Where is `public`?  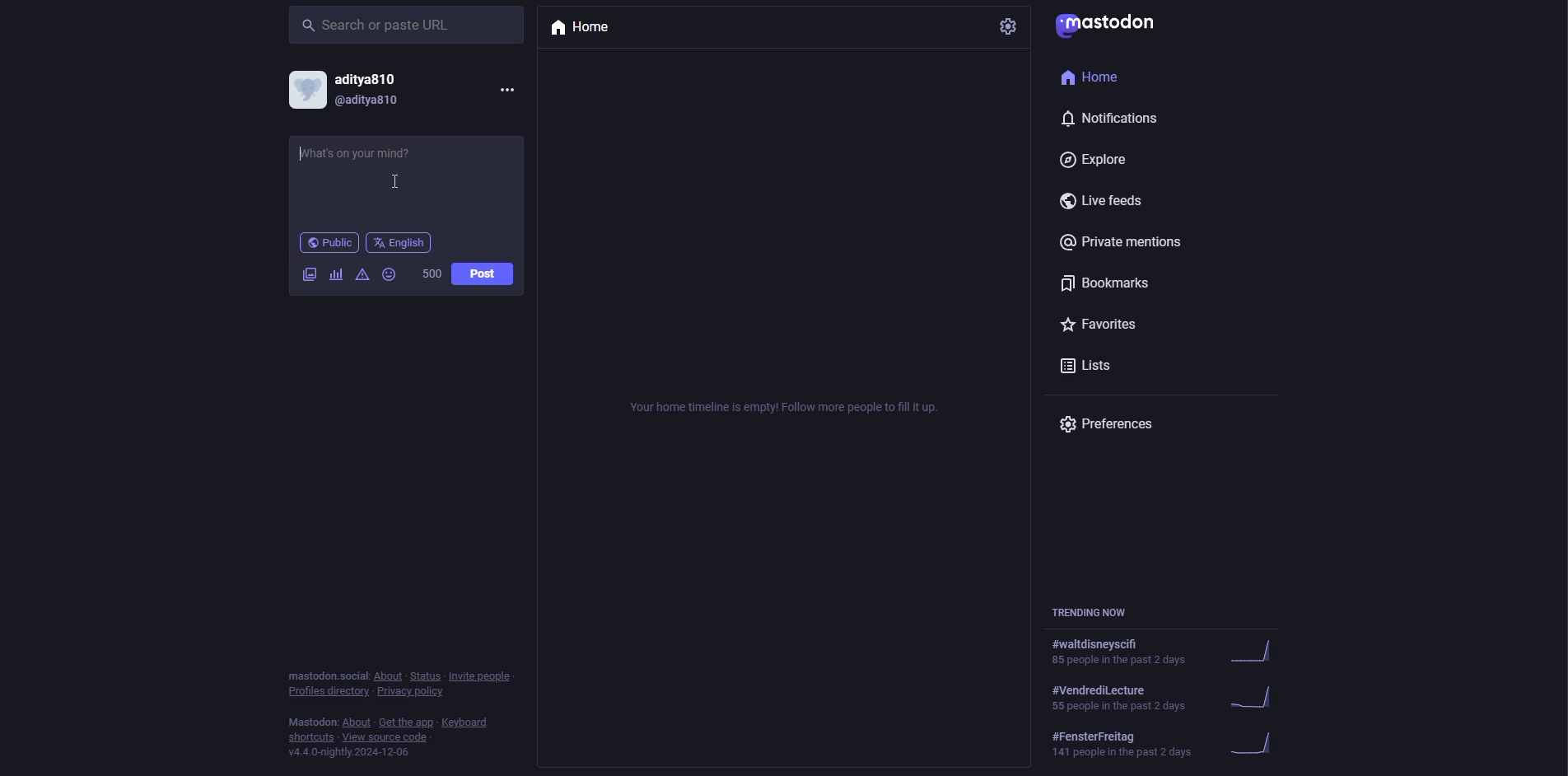 public is located at coordinates (329, 244).